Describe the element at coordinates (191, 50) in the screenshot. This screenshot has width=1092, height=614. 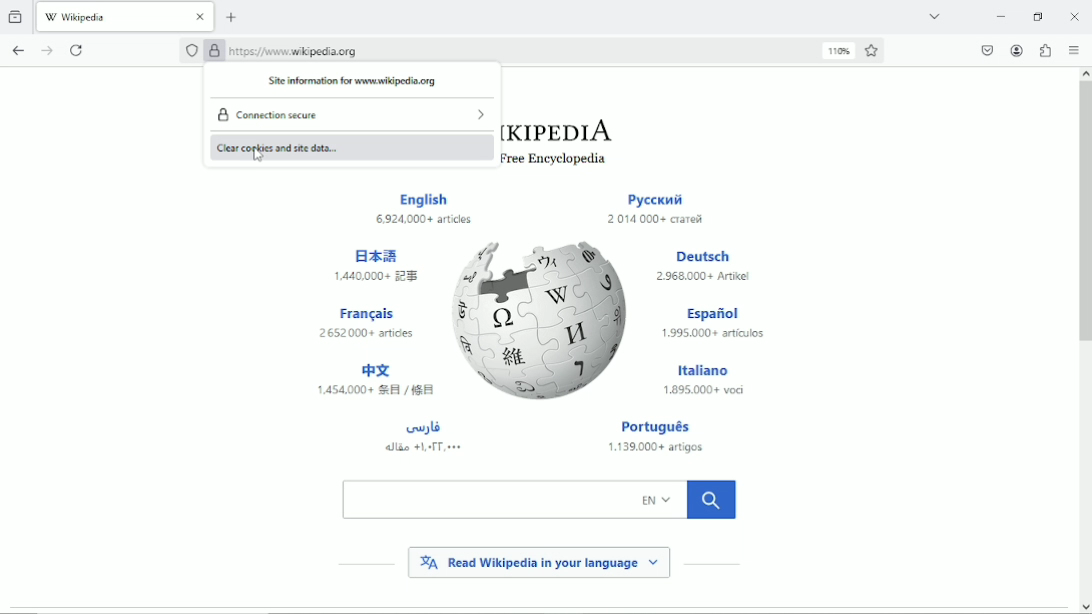
I see `no trackers known to firefox were detected on this page` at that location.